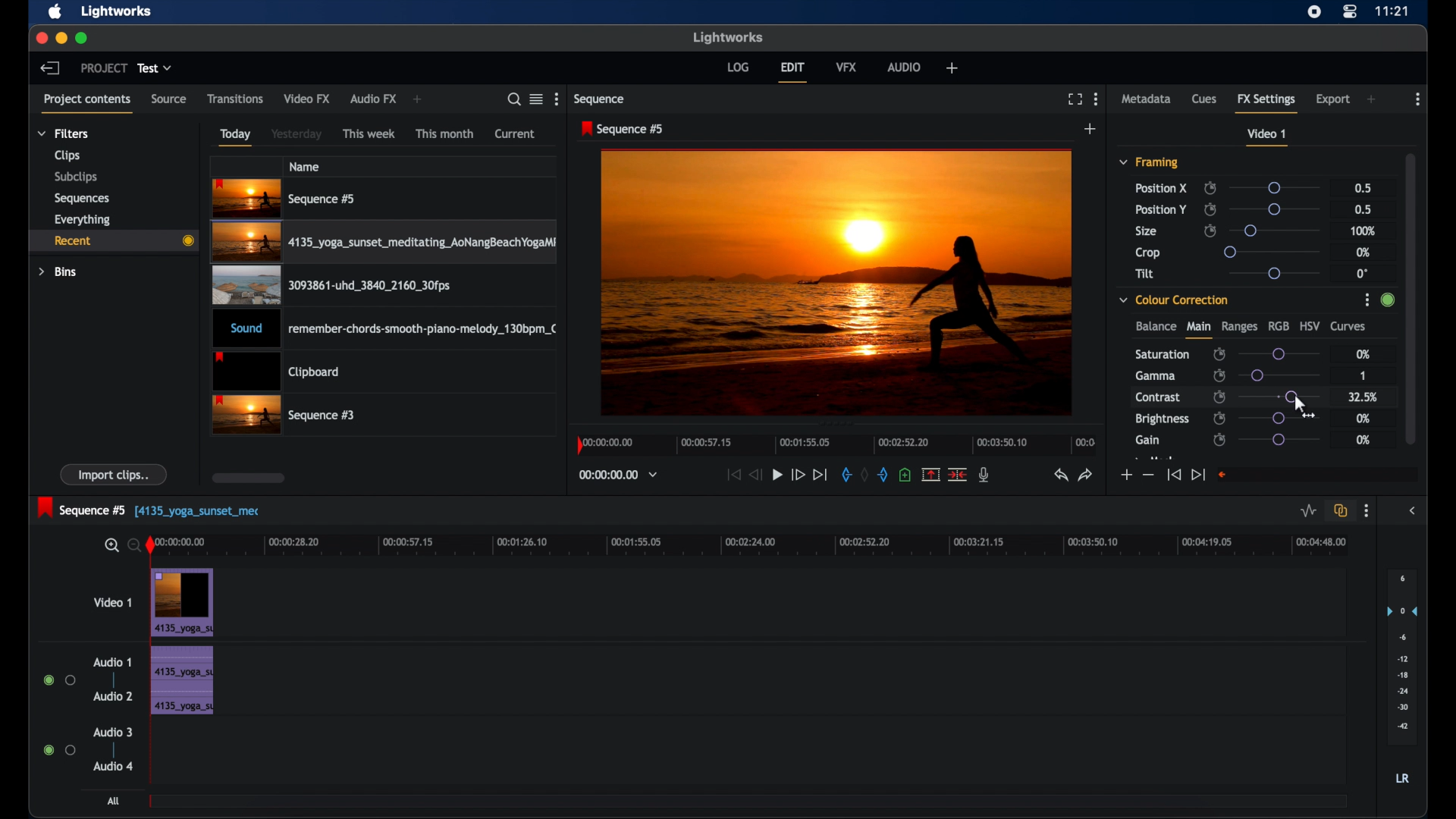 Image resolution: width=1456 pixels, height=819 pixels. I want to click on cursor, so click(1291, 399).